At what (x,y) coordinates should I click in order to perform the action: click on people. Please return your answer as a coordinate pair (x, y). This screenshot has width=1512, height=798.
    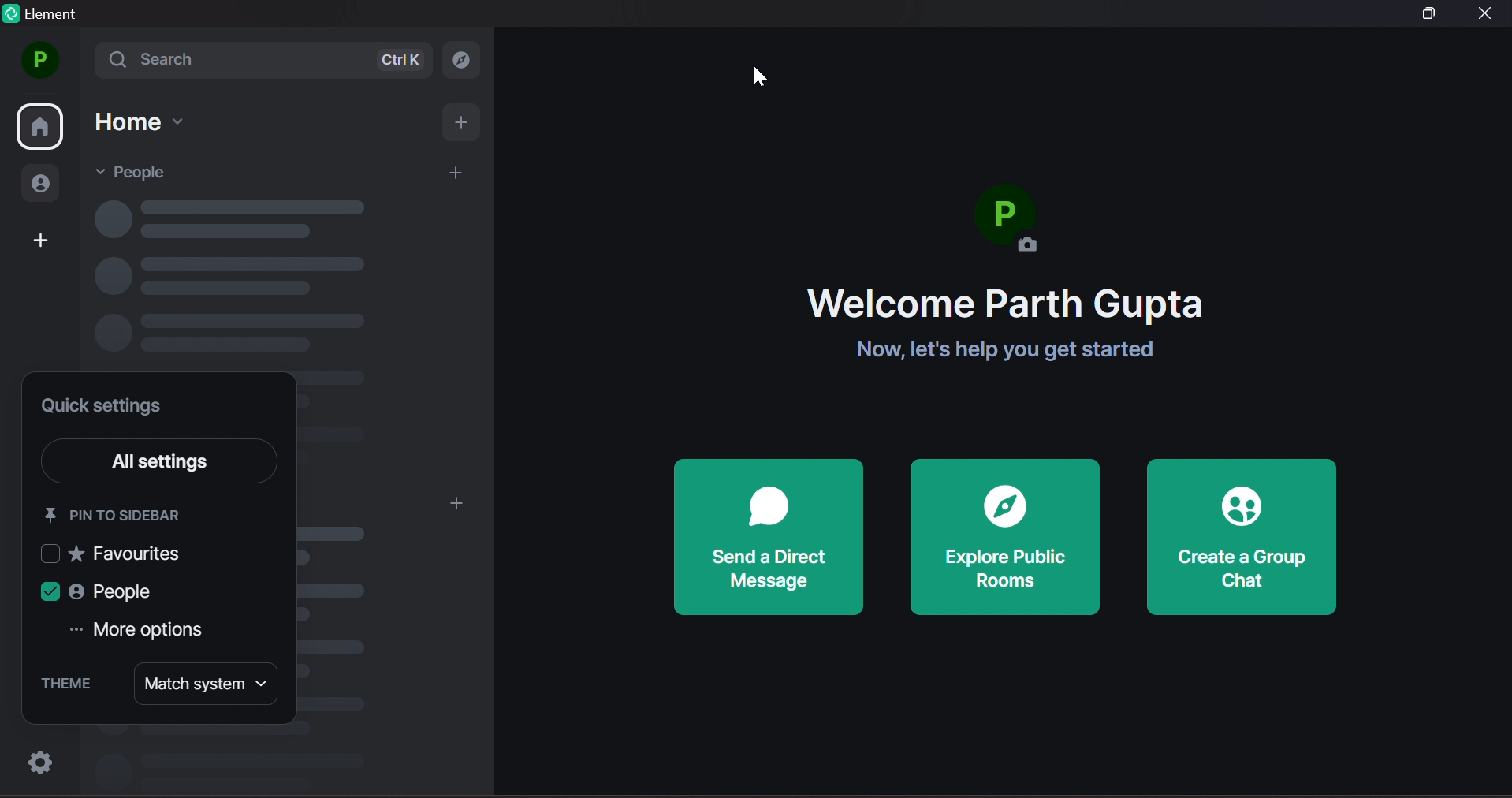
    Looking at the image, I should click on (44, 187).